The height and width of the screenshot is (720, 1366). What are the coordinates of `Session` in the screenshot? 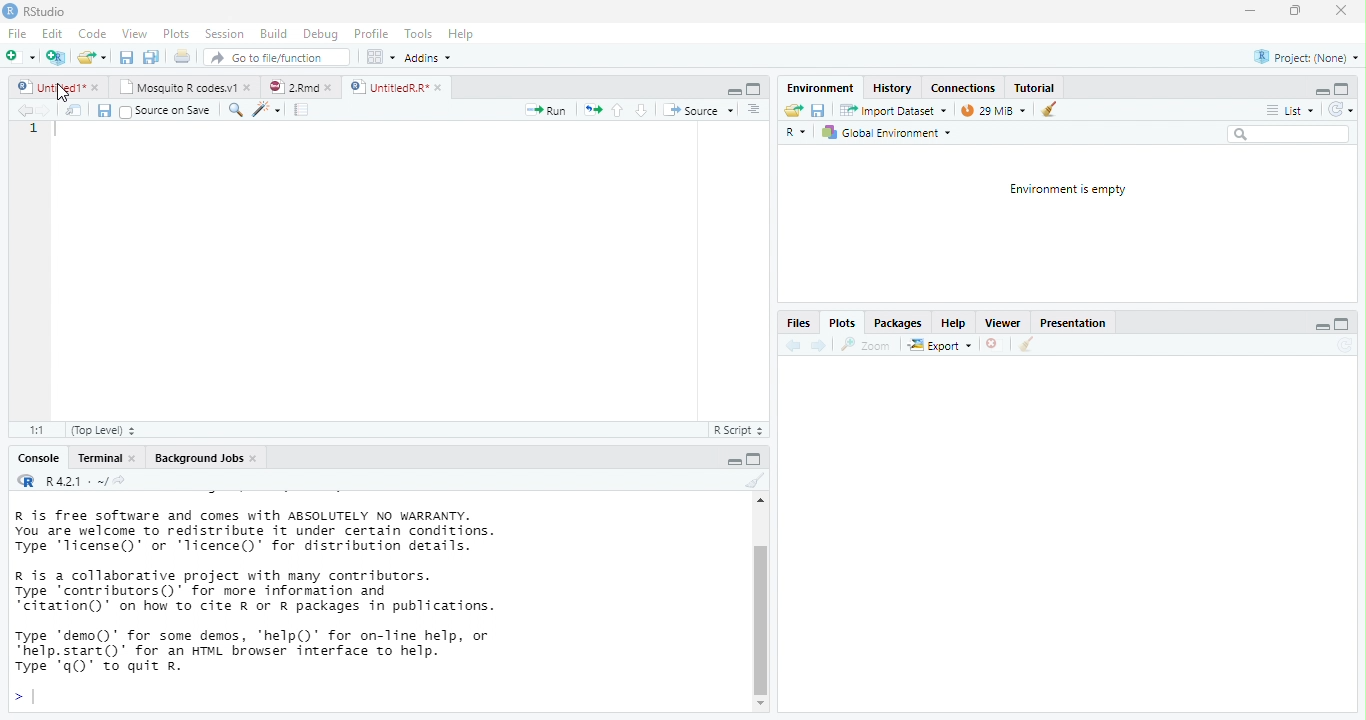 It's located at (224, 33).